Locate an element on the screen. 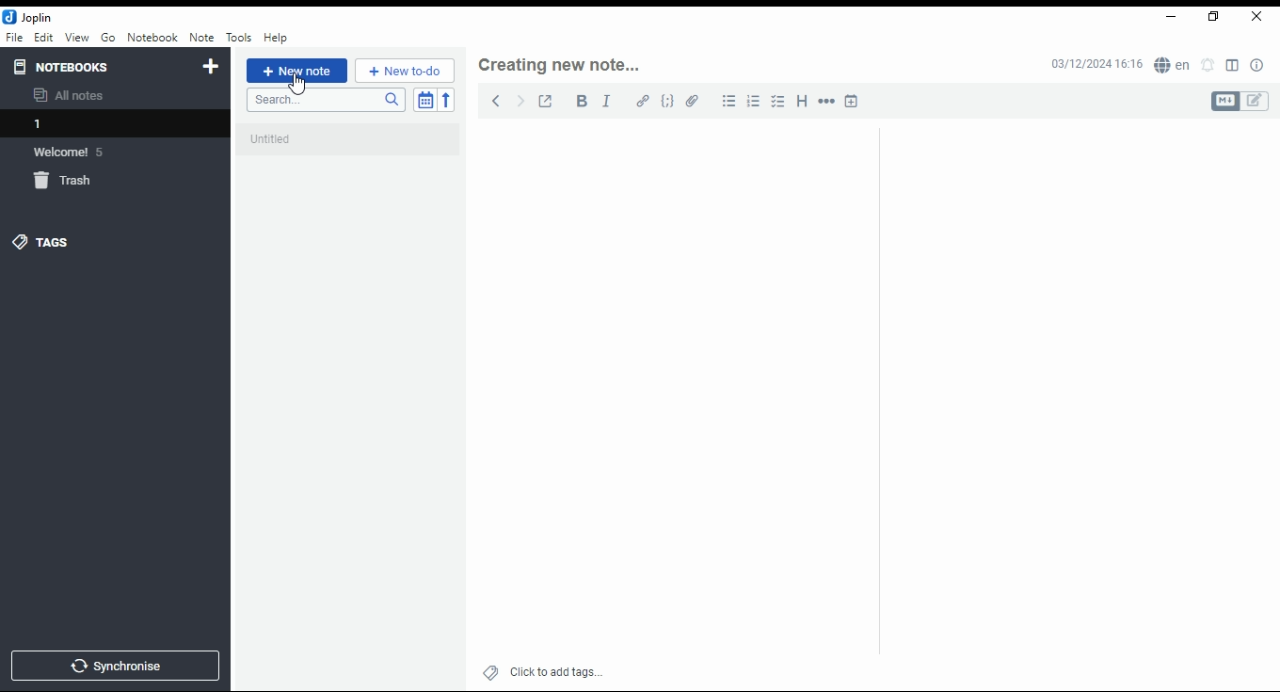 This screenshot has height=692, width=1280. note properties is located at coordinates (1258, 66).